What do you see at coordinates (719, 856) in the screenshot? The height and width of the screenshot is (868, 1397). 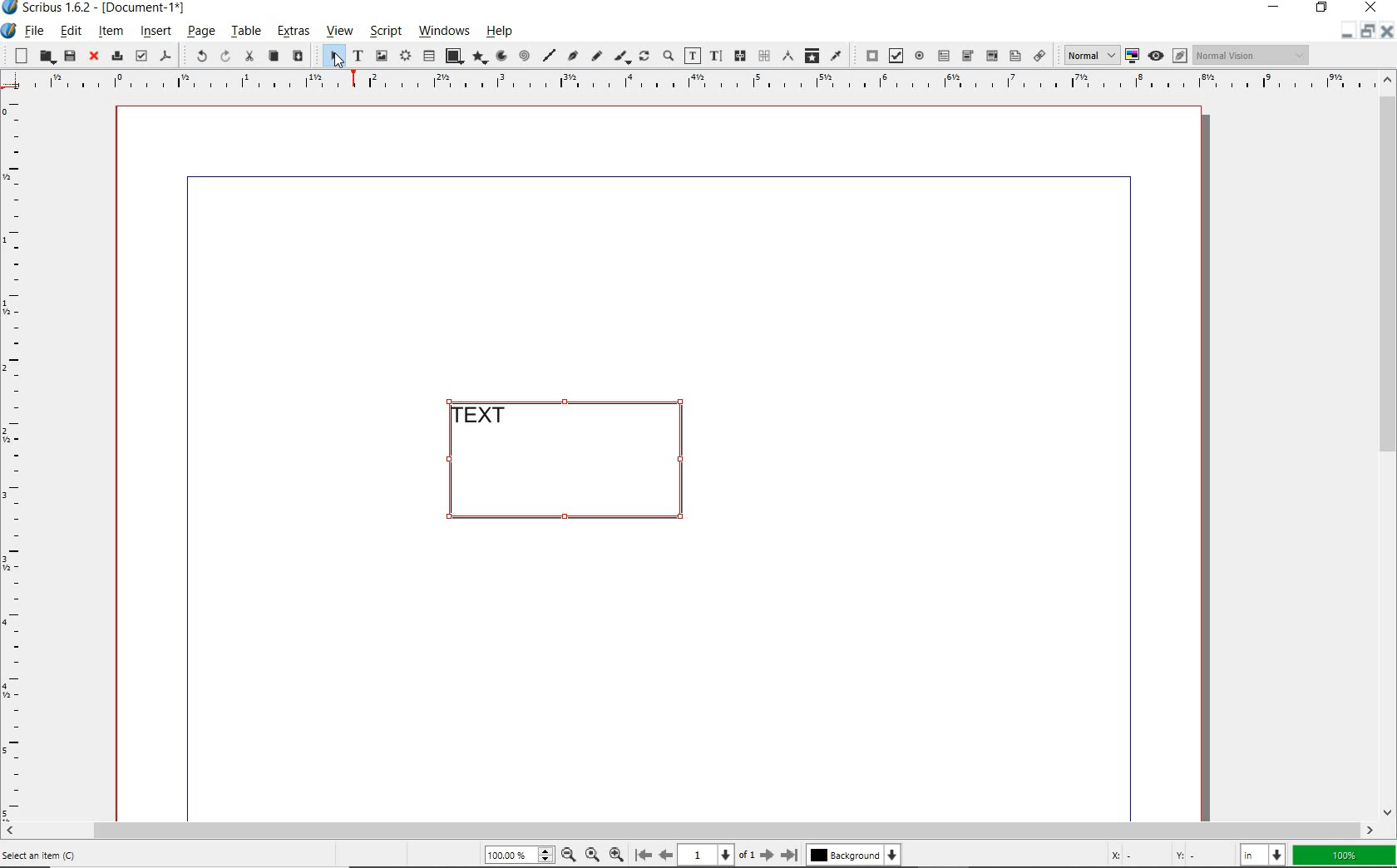 I see `1 of 1` at bounding box center [719, 856].